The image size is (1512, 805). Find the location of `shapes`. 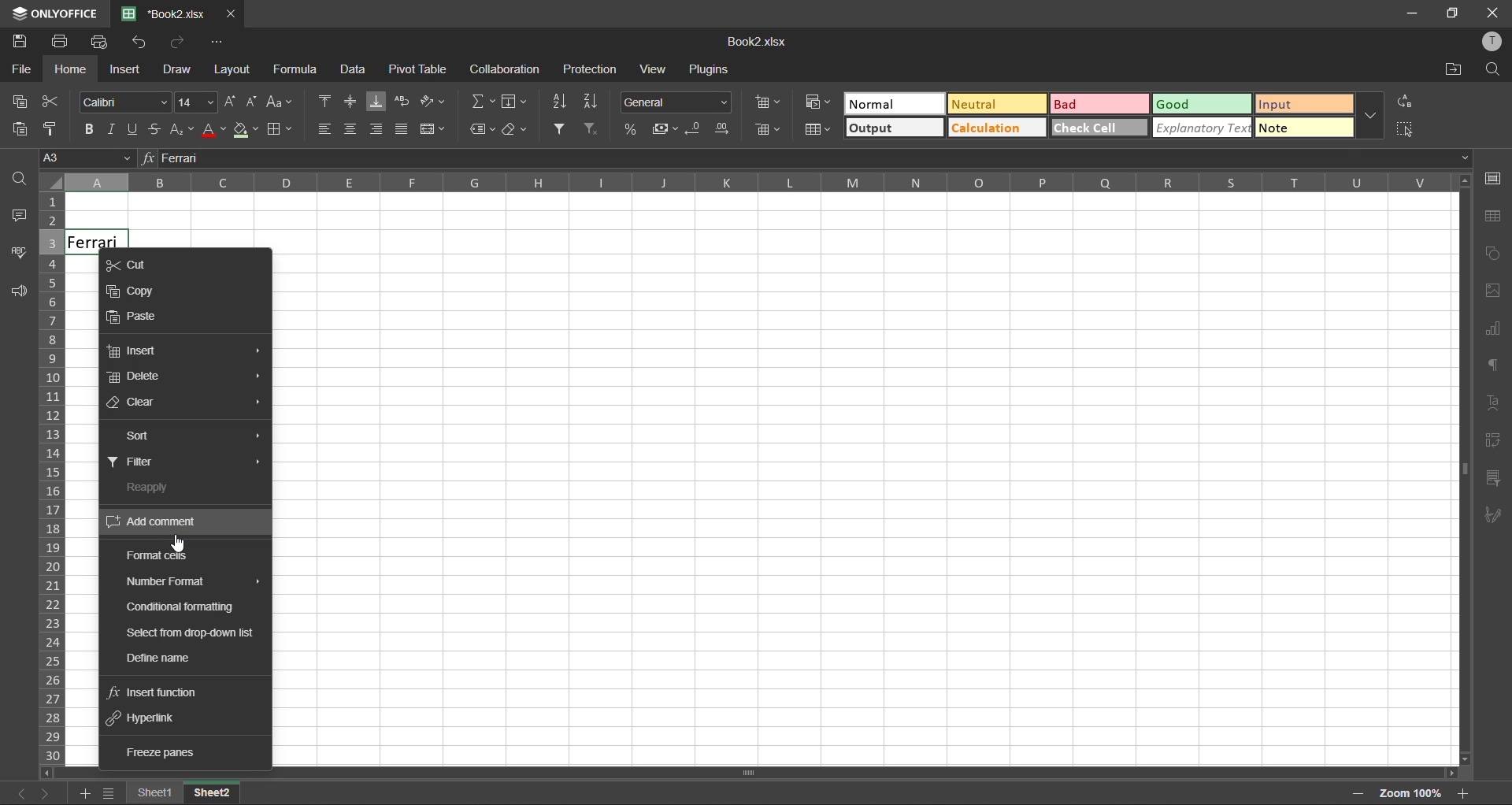

shapes is located at coordinates (1494, 255).